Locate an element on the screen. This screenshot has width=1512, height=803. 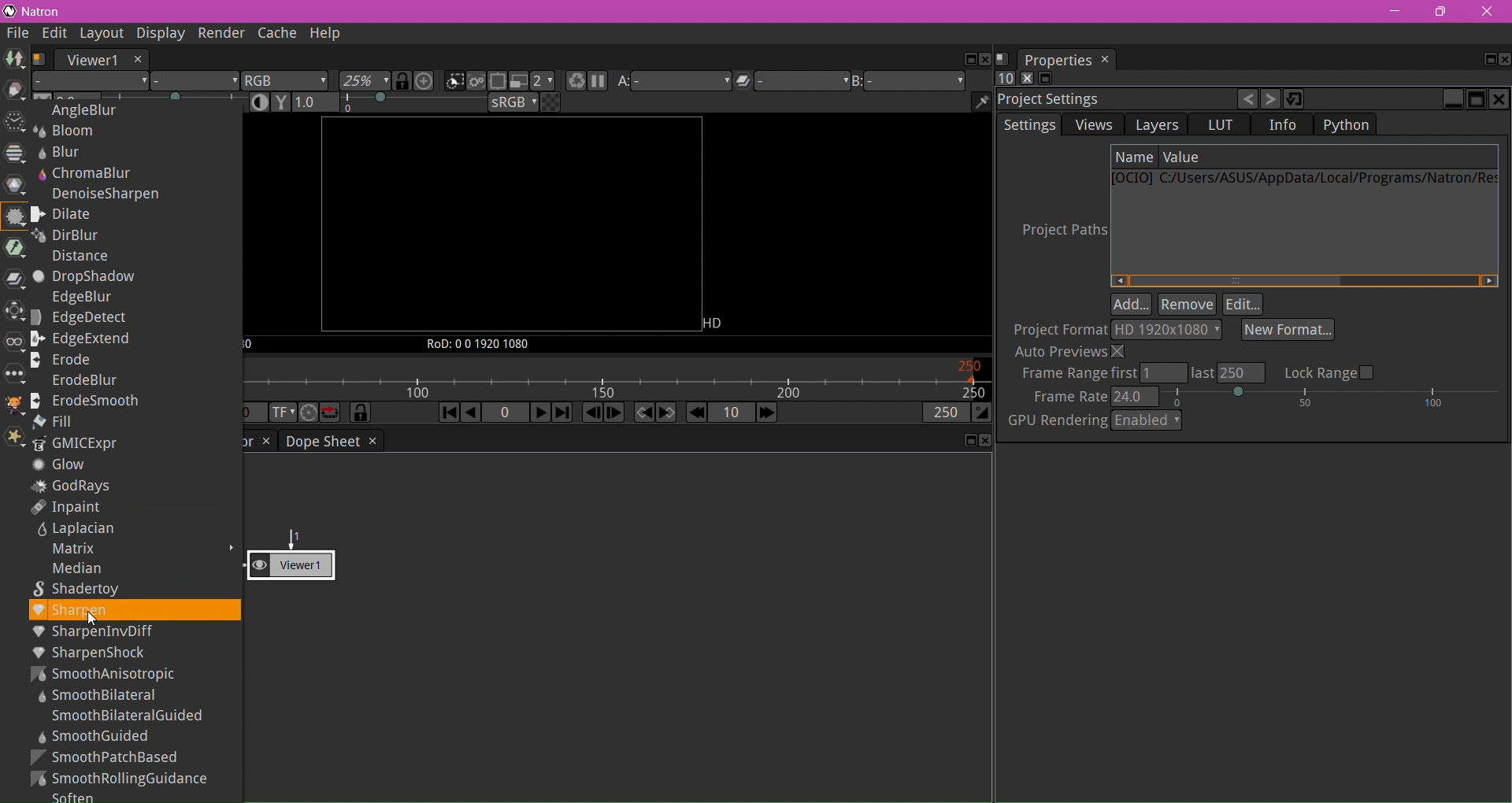
DenoiseSharpen is located at coordinates (104, 194).